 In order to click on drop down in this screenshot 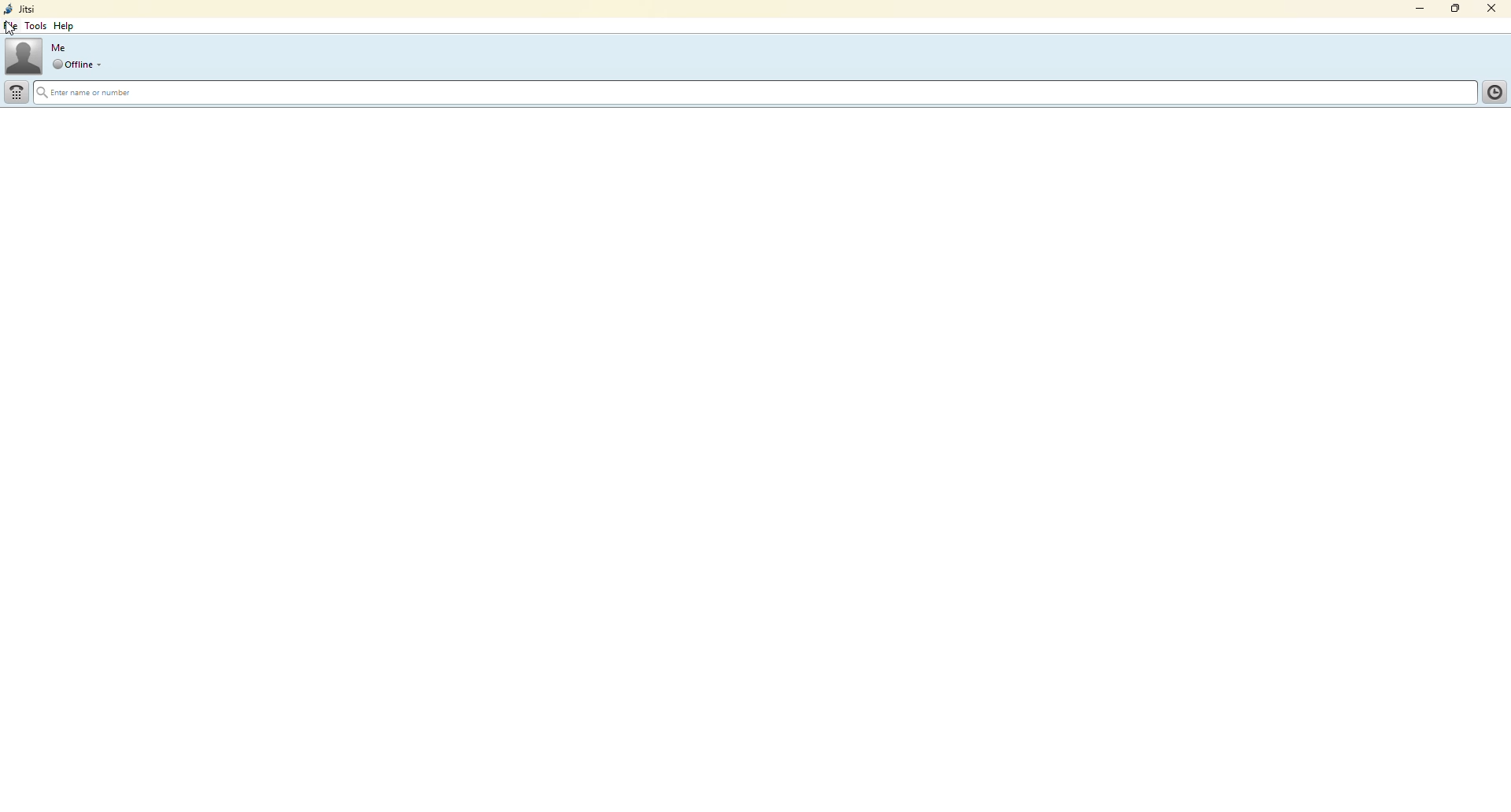, I will do `click(102, 65)`.